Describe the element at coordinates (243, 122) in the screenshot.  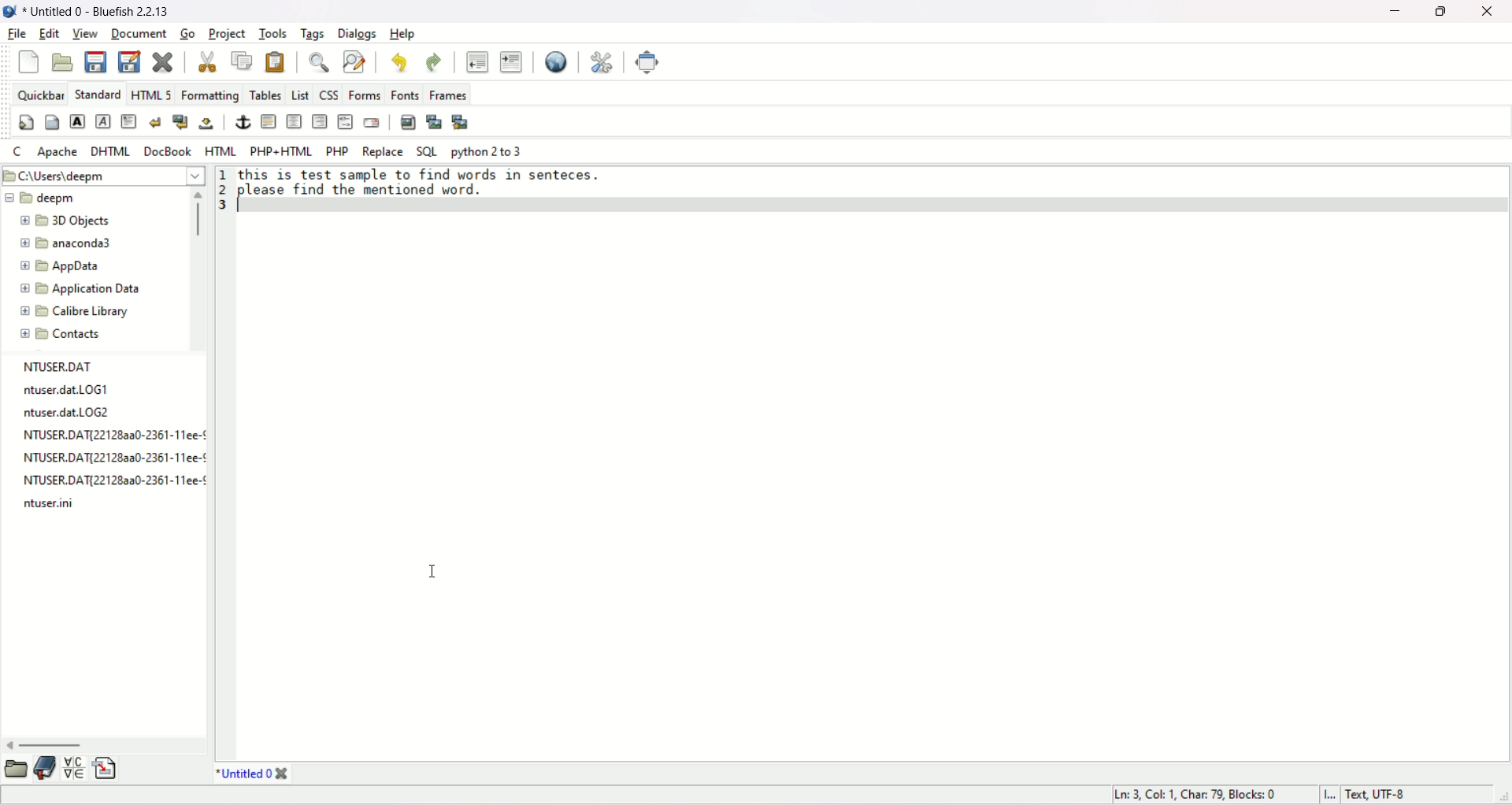
I see `anchor/hyperlink` at that location.